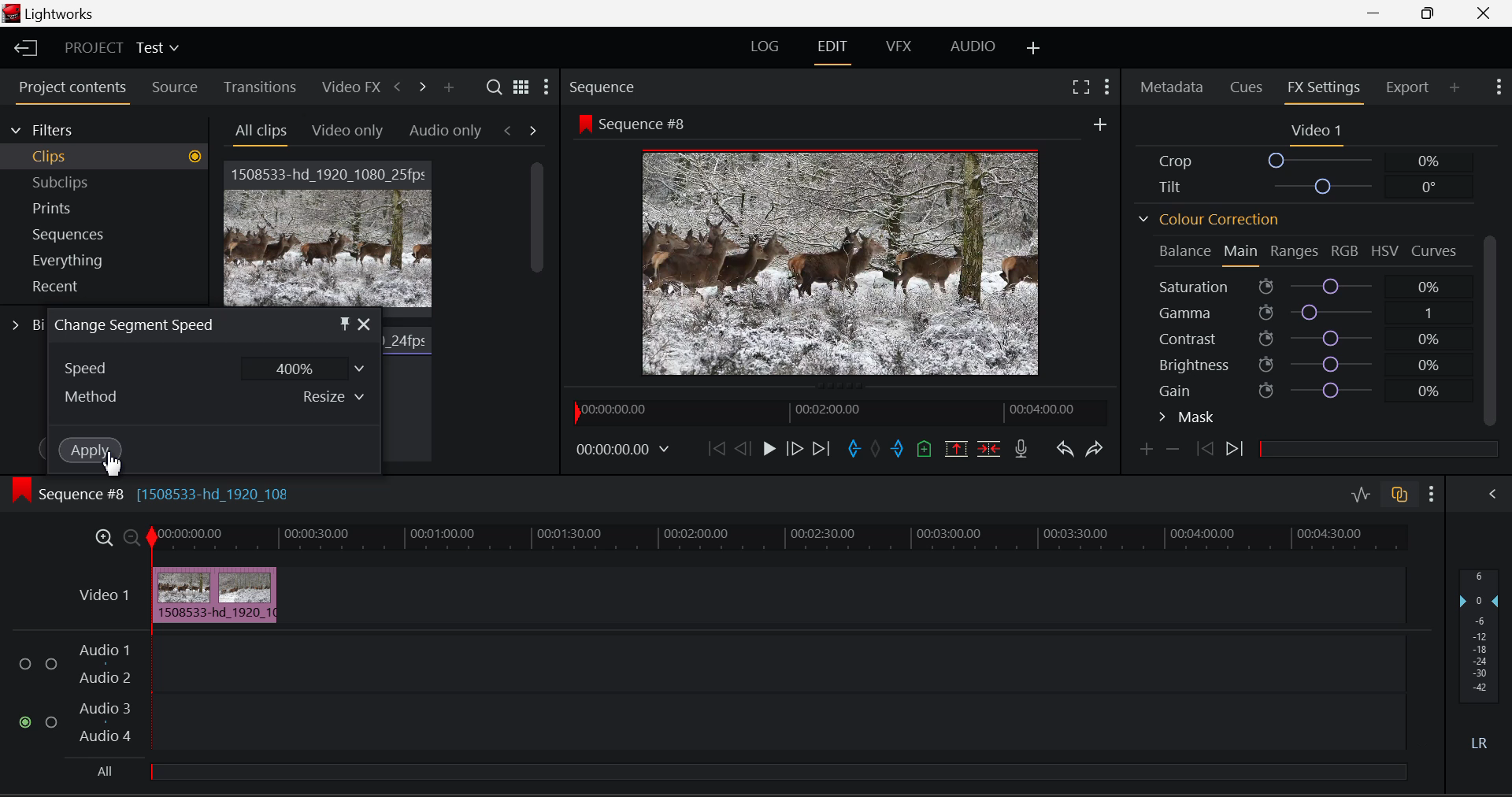 This screenshot has height=797, width=1512. What do you see at coordinates (1298, 286) in the screenshot?
I see `Saturation` at bounding box center [1298, 286].